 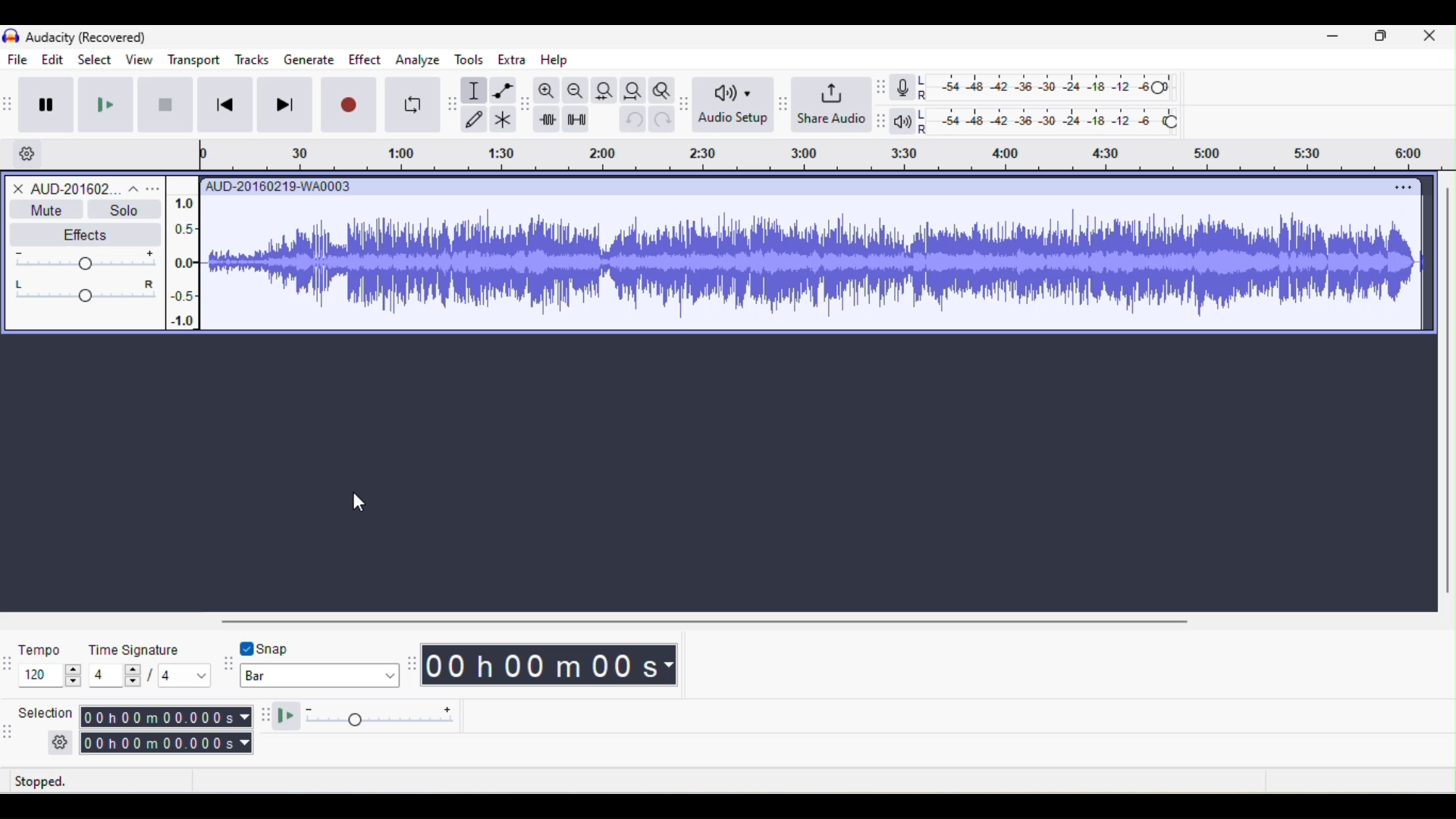 What do you see at coordinates (312, 58) in the screenshot?
I see `generate` at bounding box center [312, 58].